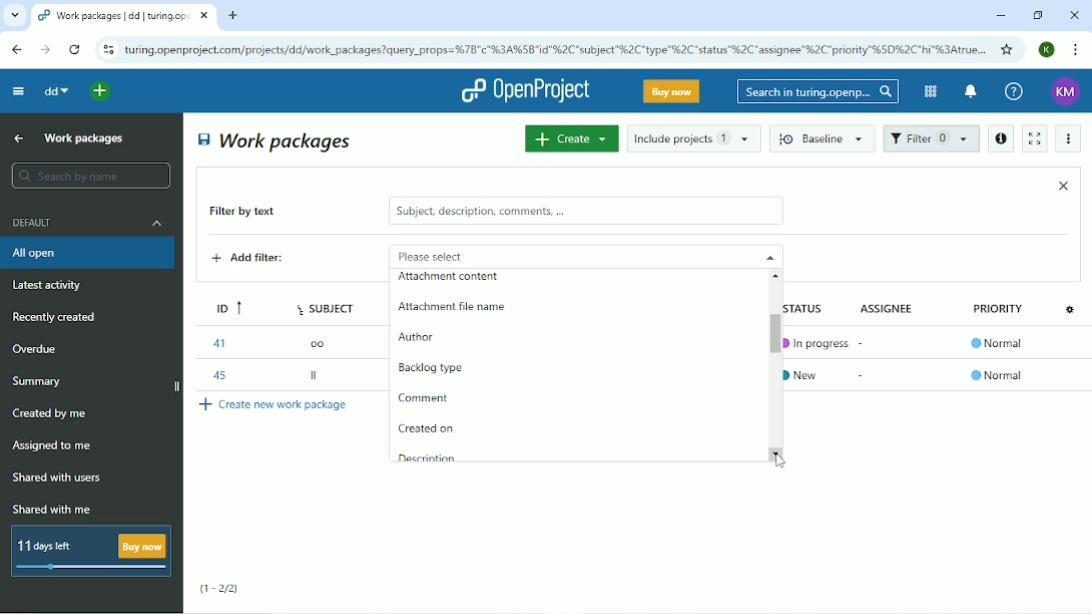 The width and height of the screenshot is (1092, 614). I want to click on Bookmark this tab, so click(1007, 49).